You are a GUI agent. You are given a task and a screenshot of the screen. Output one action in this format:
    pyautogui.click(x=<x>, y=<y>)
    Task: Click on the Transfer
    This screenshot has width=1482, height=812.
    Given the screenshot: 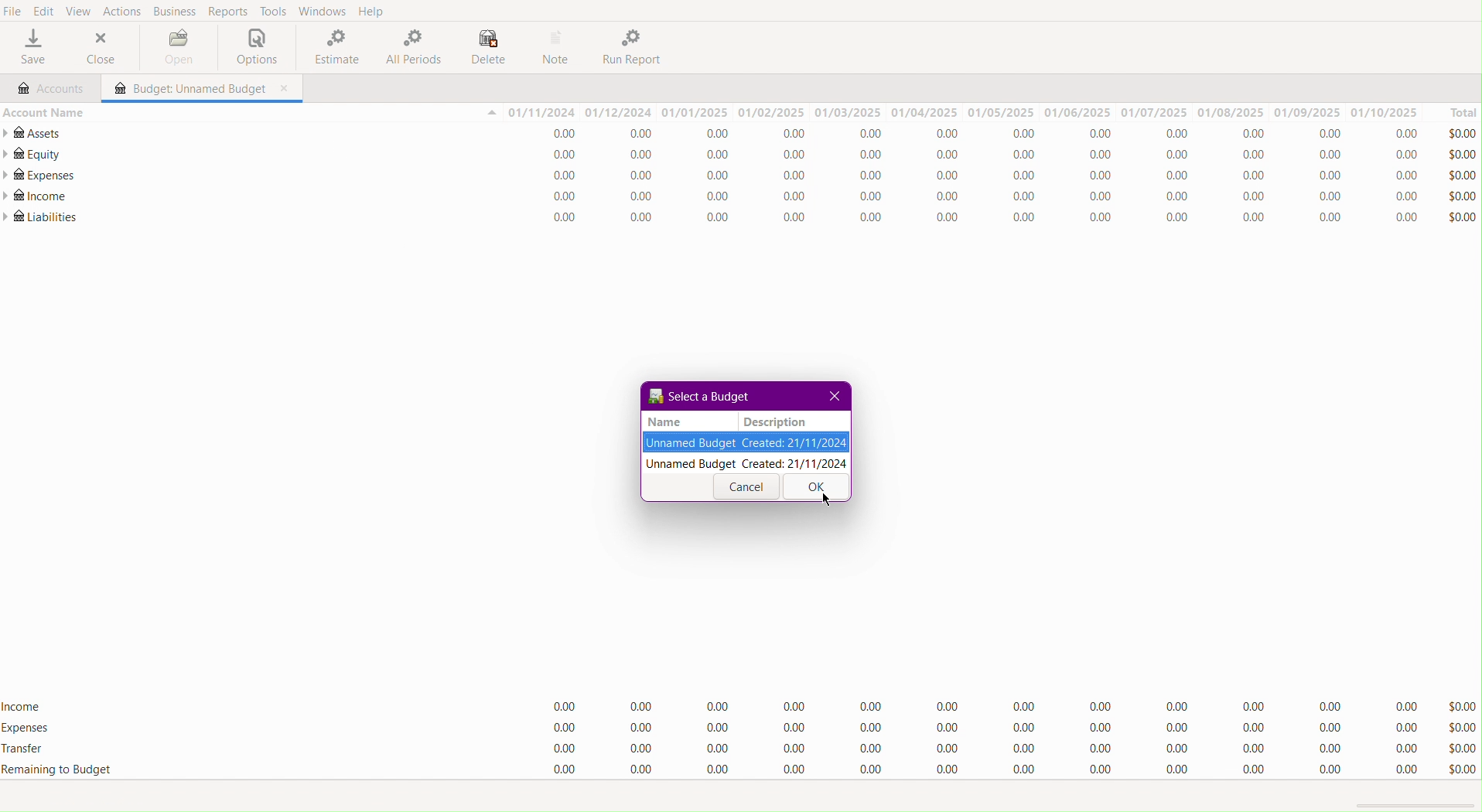 What is the action you would take?
    pyautogui.click(x=32, y=750)
    